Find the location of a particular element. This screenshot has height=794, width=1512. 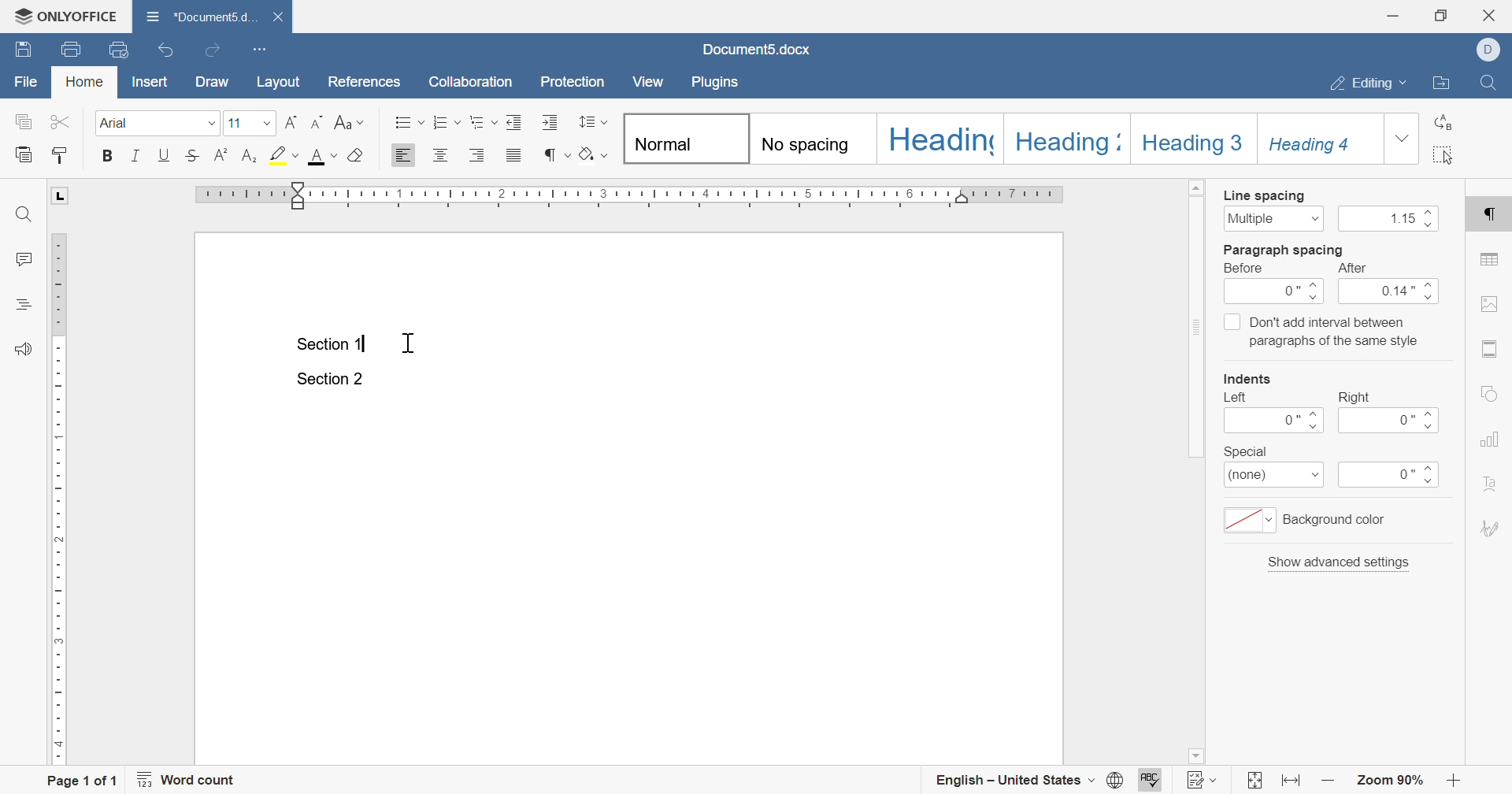

copy is located at coordinates (21, 121).